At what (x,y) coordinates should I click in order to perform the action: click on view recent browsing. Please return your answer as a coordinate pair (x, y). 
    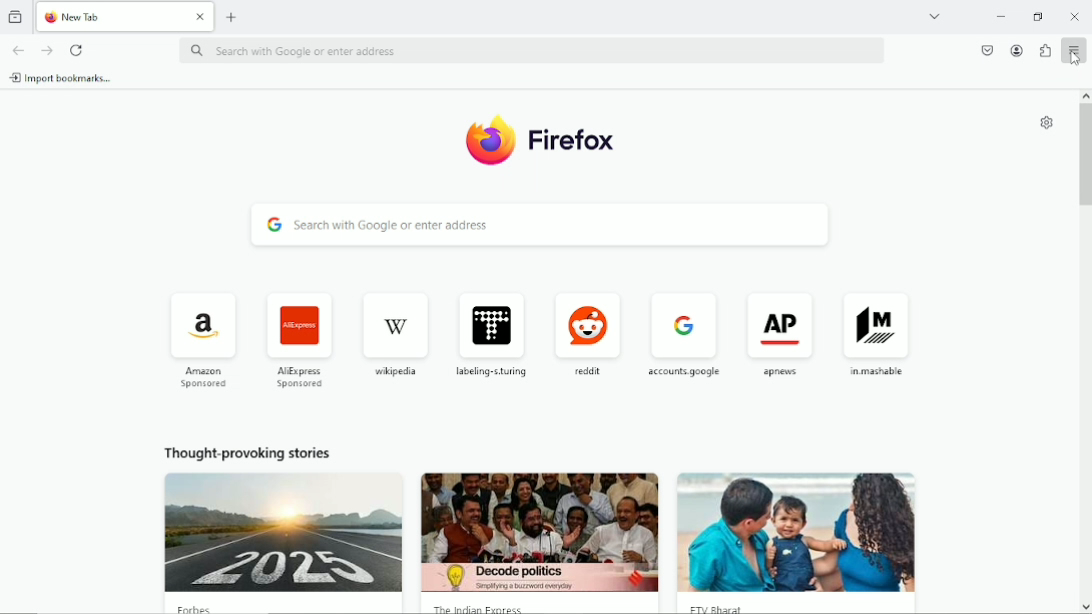
    Looking at the image, I should click on (17, 15).